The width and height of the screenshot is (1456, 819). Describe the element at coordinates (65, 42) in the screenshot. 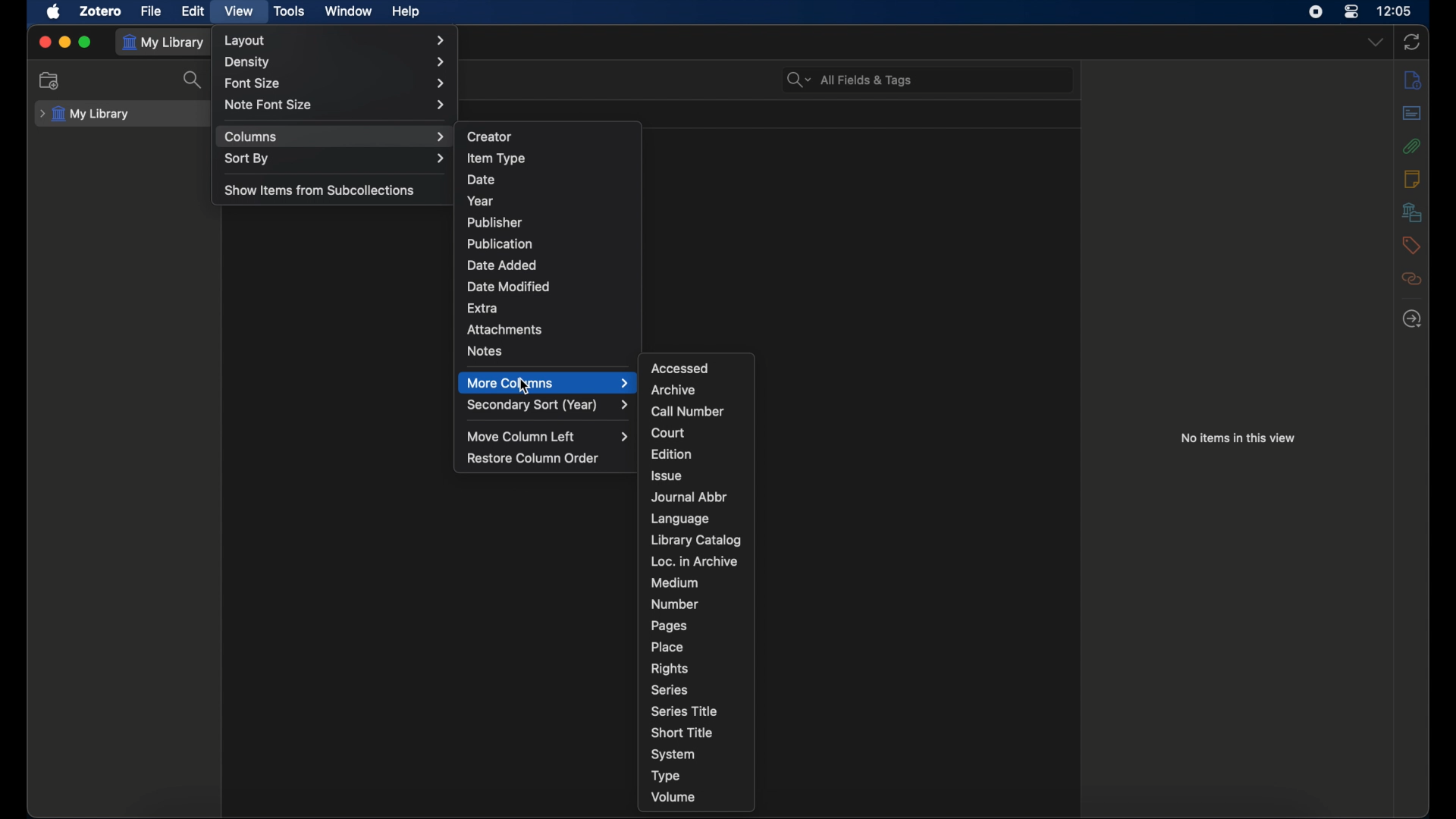

I see `minimize` at that location.